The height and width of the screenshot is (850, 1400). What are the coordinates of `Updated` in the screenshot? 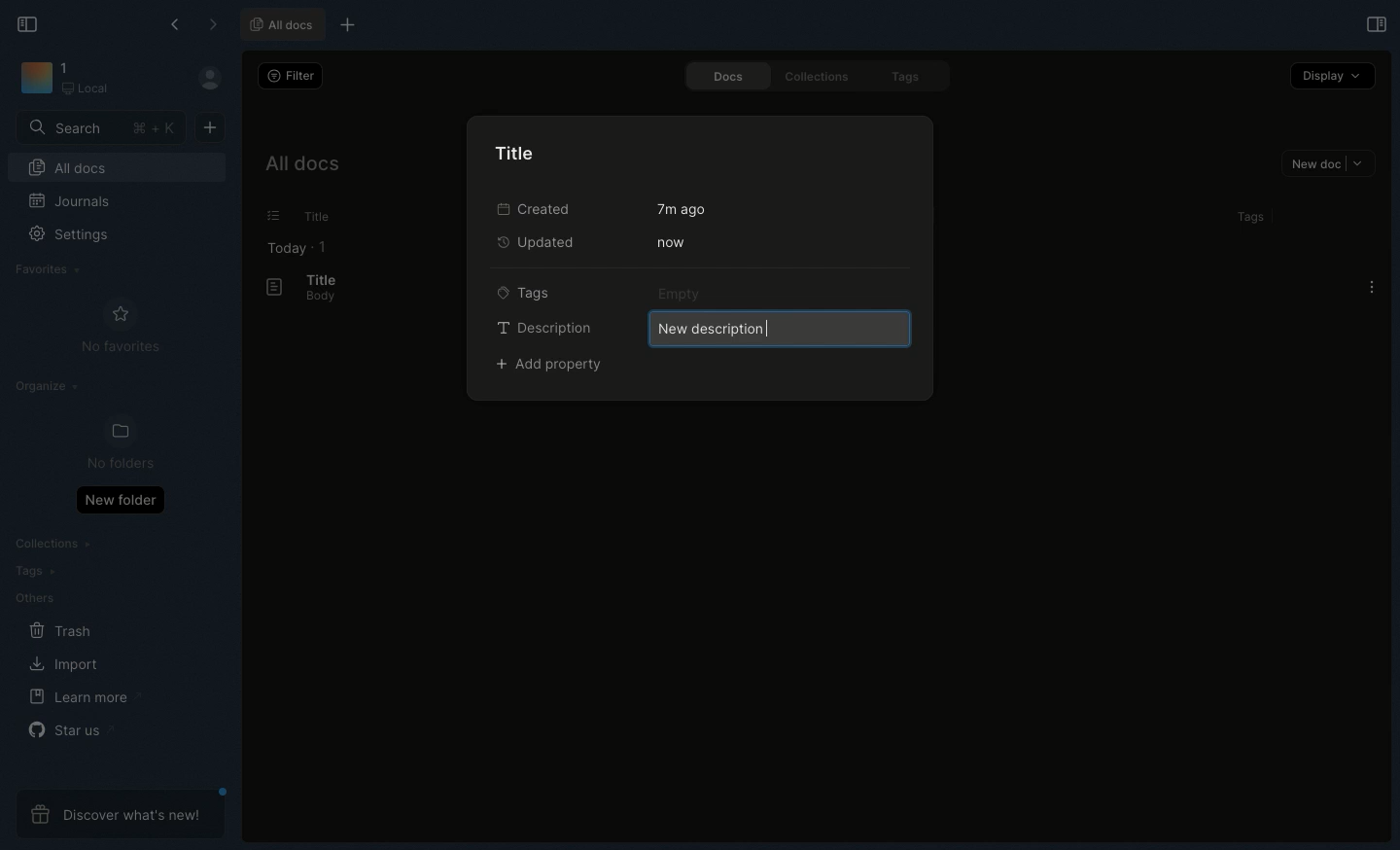 It's located at (542, 241).